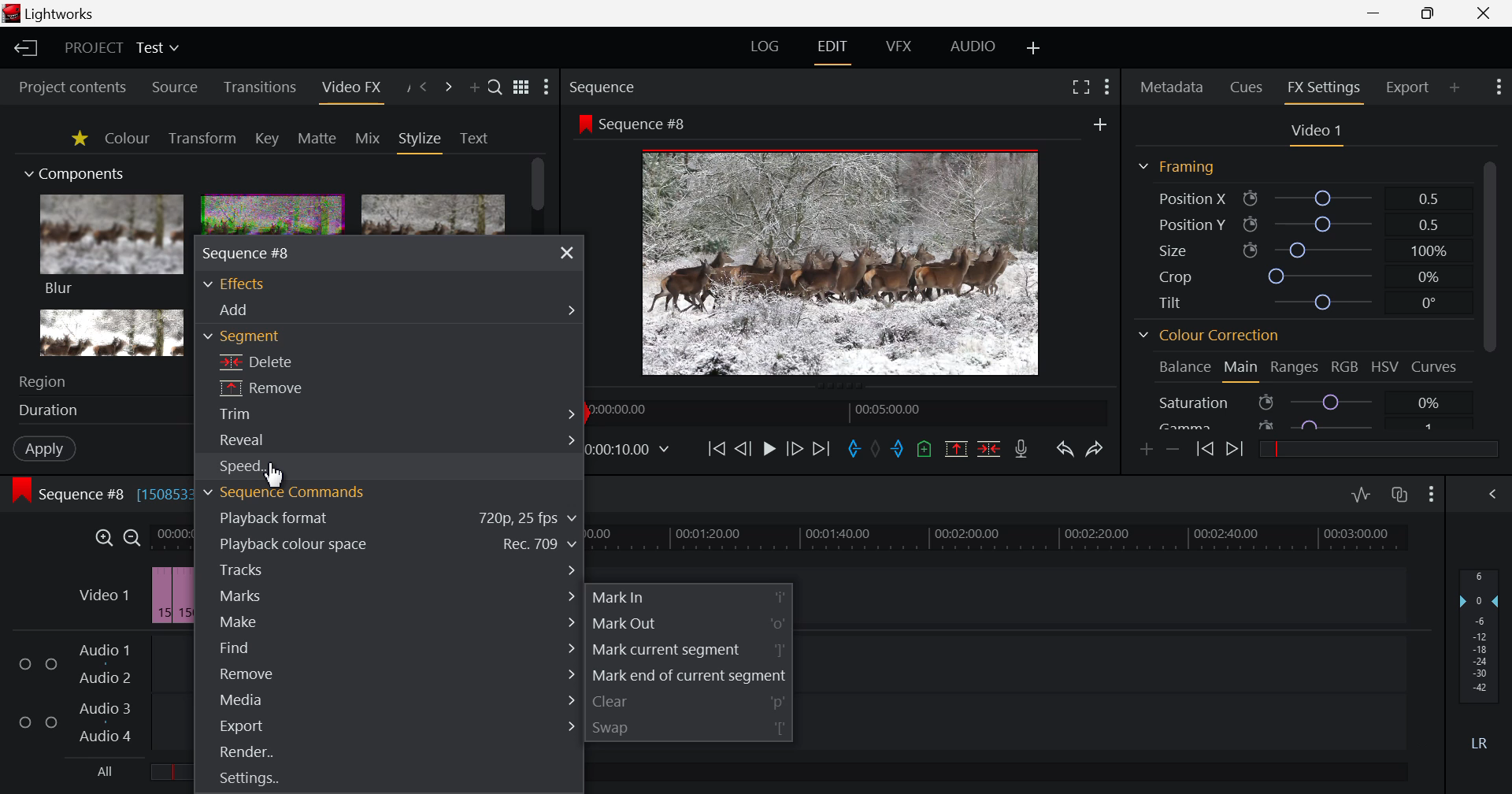 This screenshot has height=794, width=1512. I want to click on Remove keyframe, so click(1173, 449).